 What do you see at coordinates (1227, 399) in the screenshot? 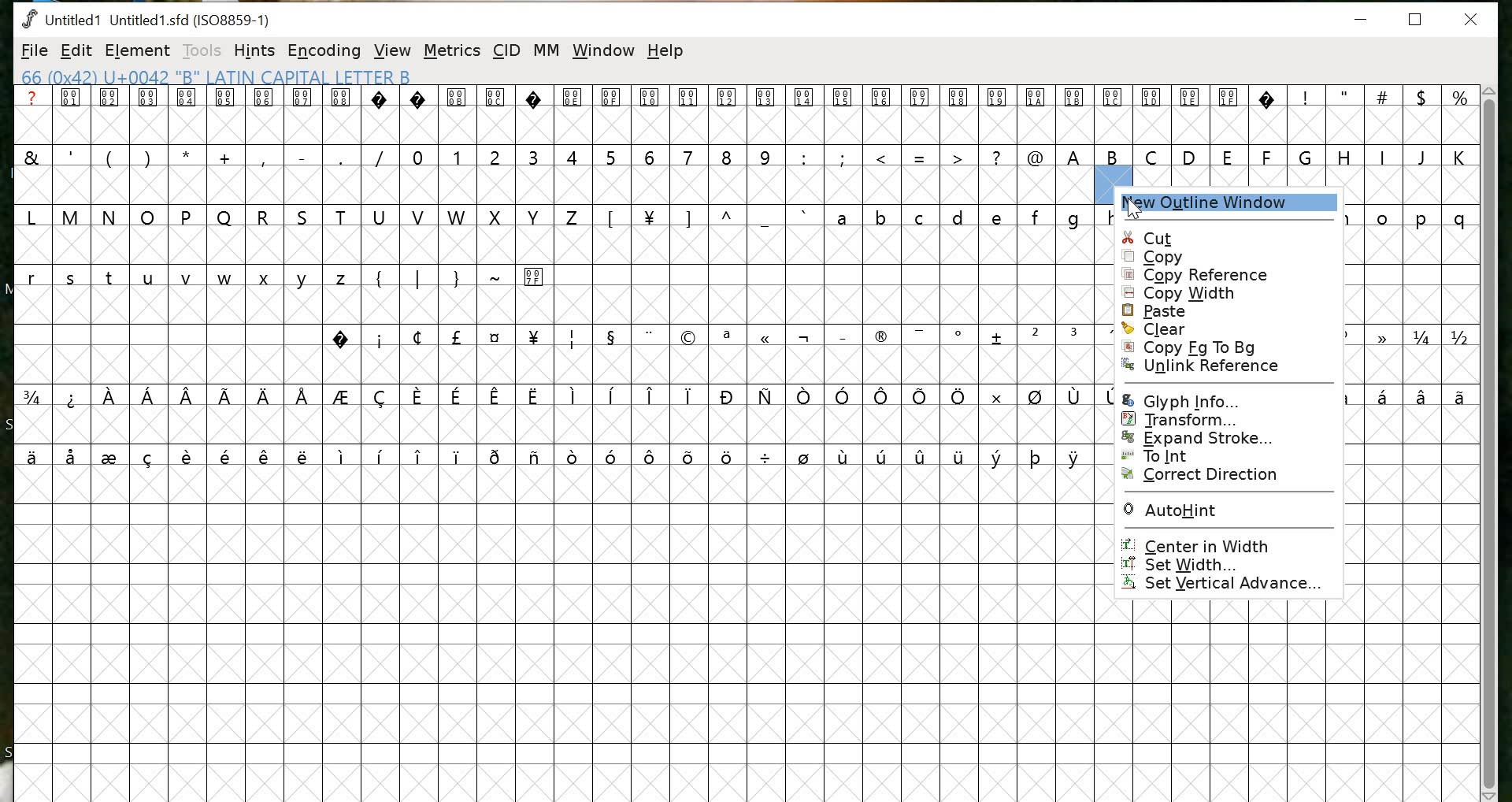
I see `glyph info` at bounding box center [1227, 399].